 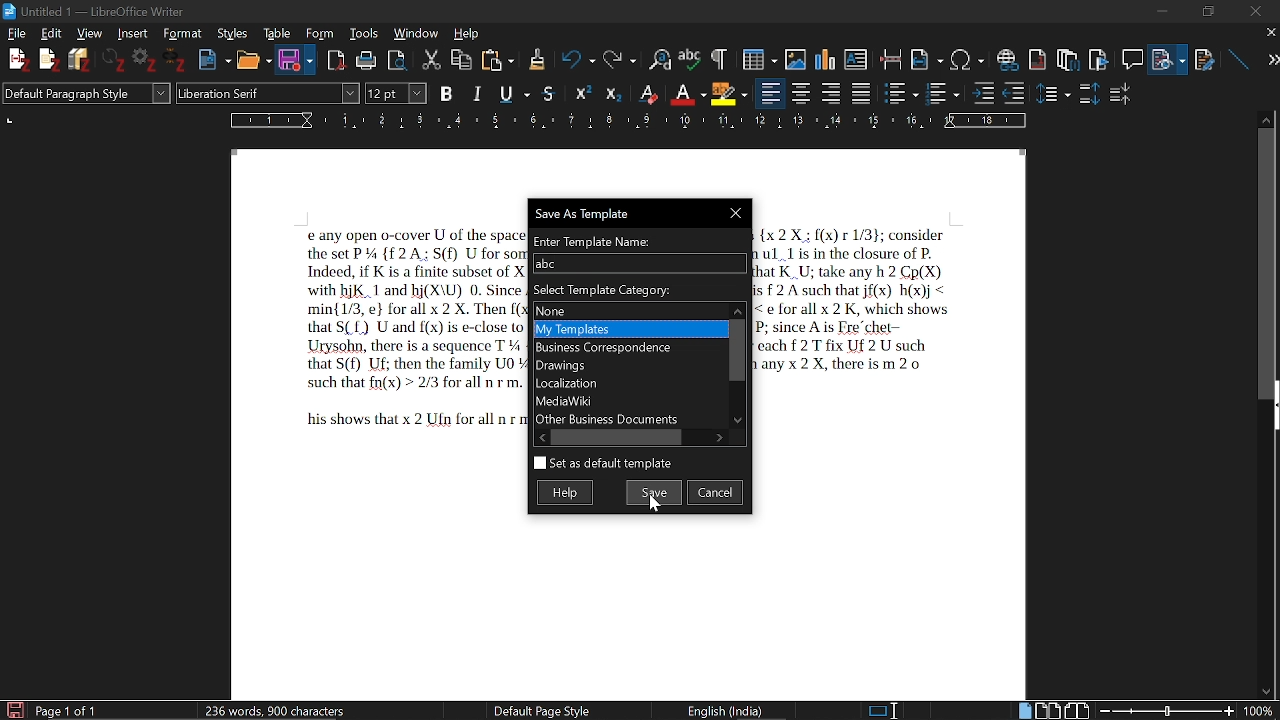 What do you see at coordinates (632, 120) in the screenshot?
I see `Ruler` at bounding box center [632, 120].